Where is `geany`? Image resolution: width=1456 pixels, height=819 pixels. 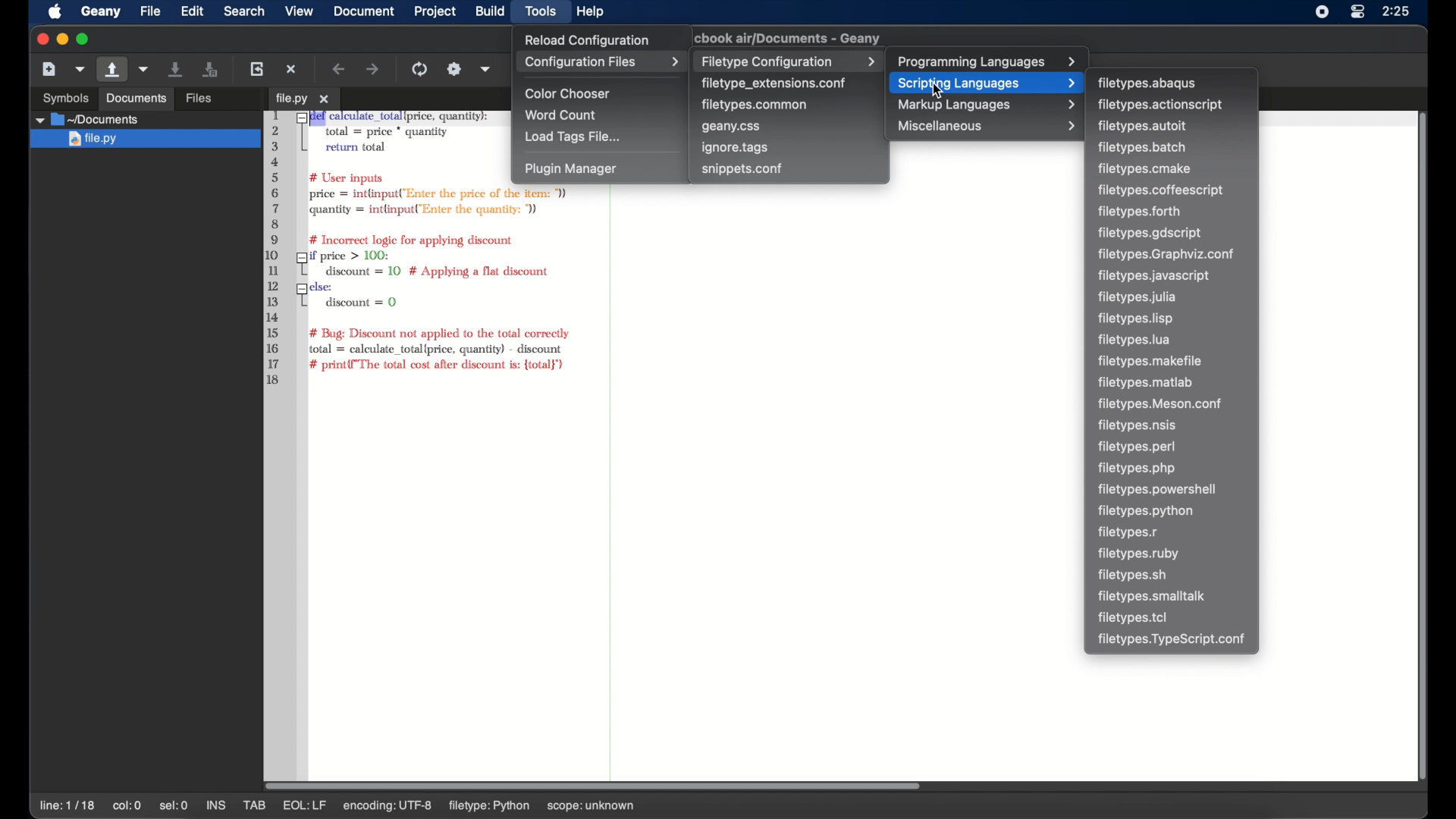 geany is located at coordinates (101, 12).